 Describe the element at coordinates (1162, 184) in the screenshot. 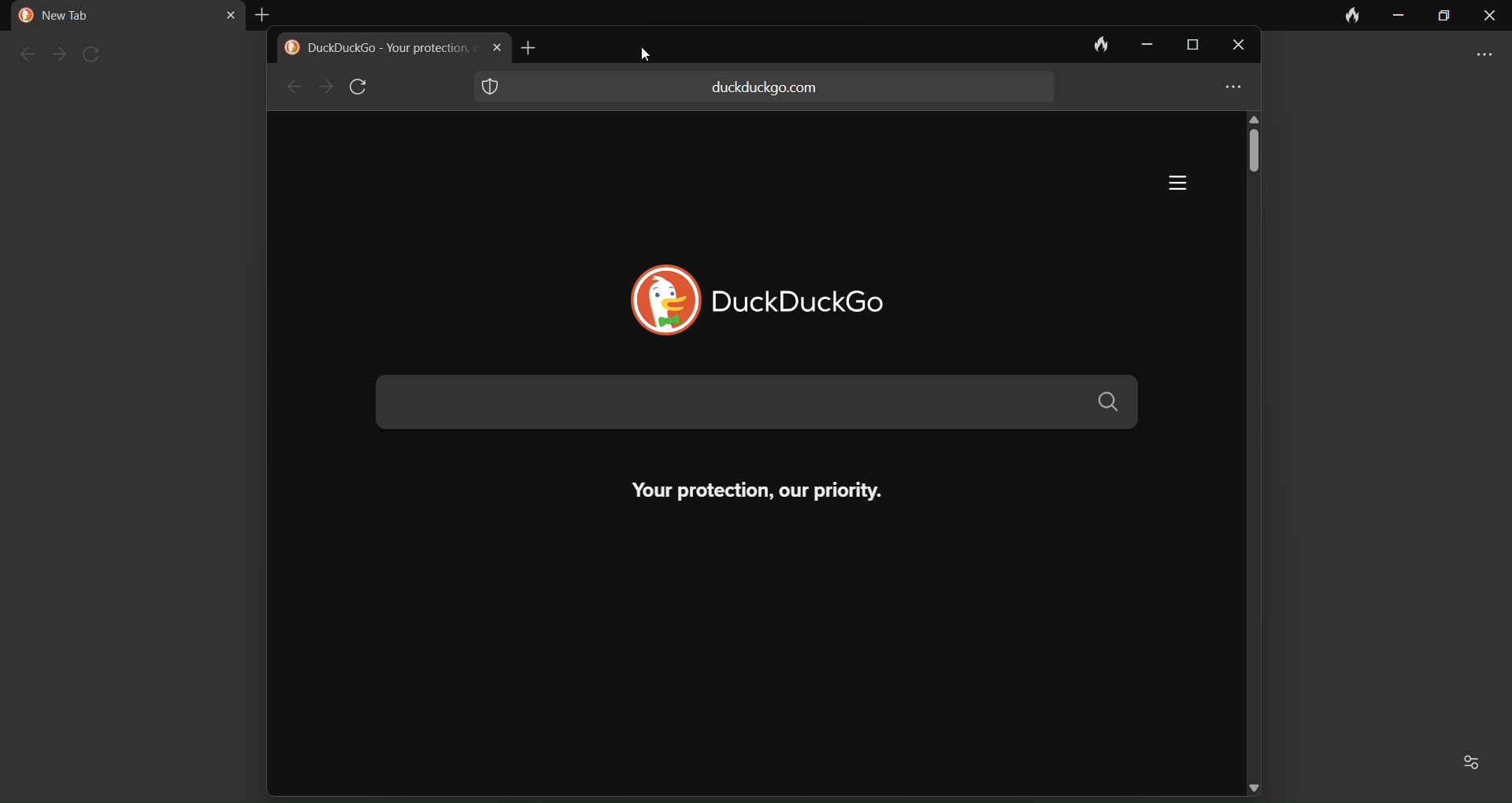

I see `menu` at that location.